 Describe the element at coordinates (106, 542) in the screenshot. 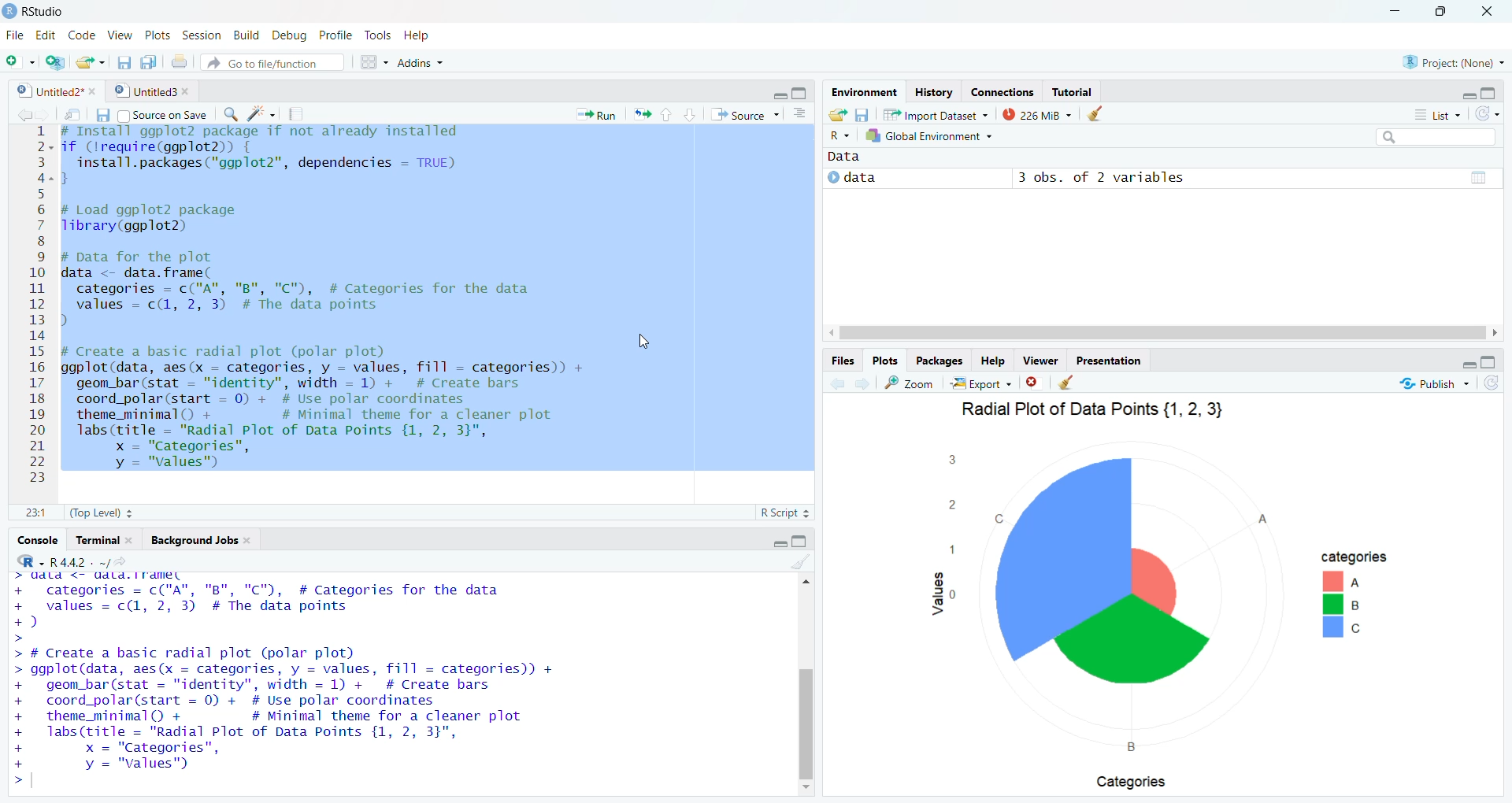

I see `Terminal` at that location.